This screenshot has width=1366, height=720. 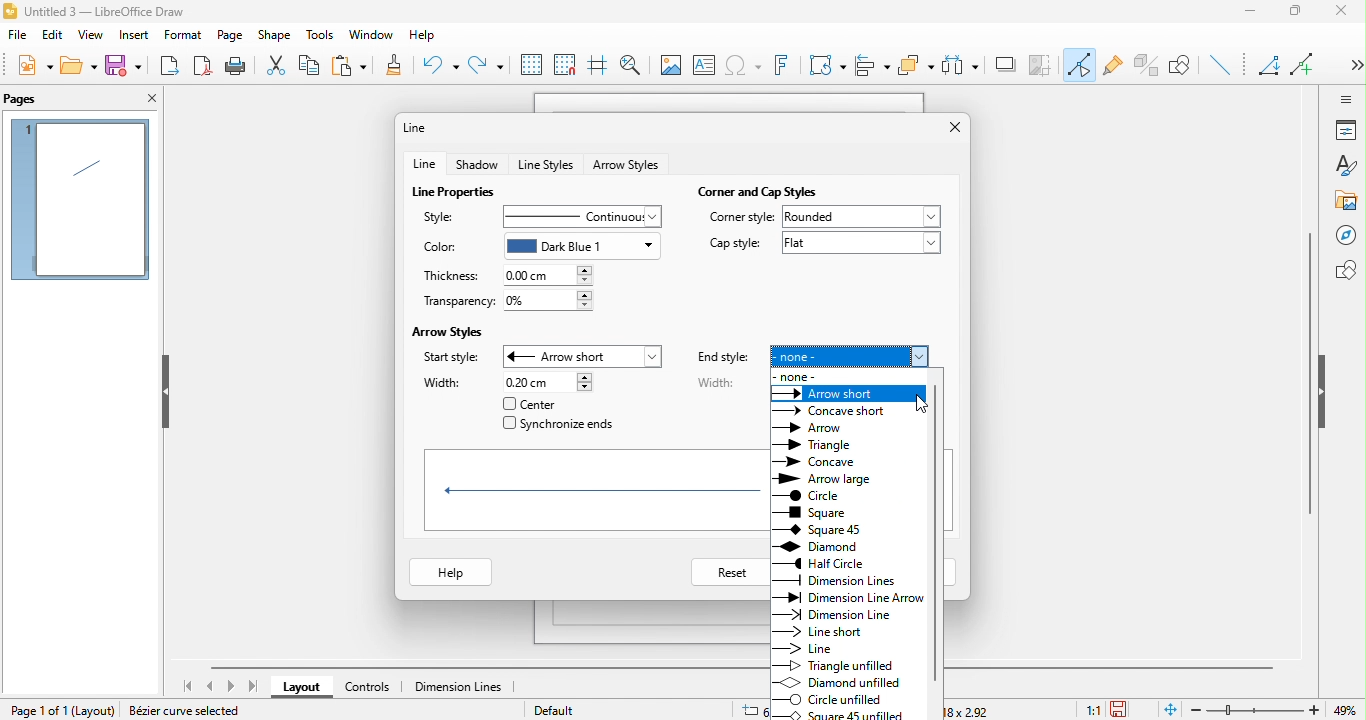 I want to click on the document has not been modified since the last save, so click(x=1127, y=709).